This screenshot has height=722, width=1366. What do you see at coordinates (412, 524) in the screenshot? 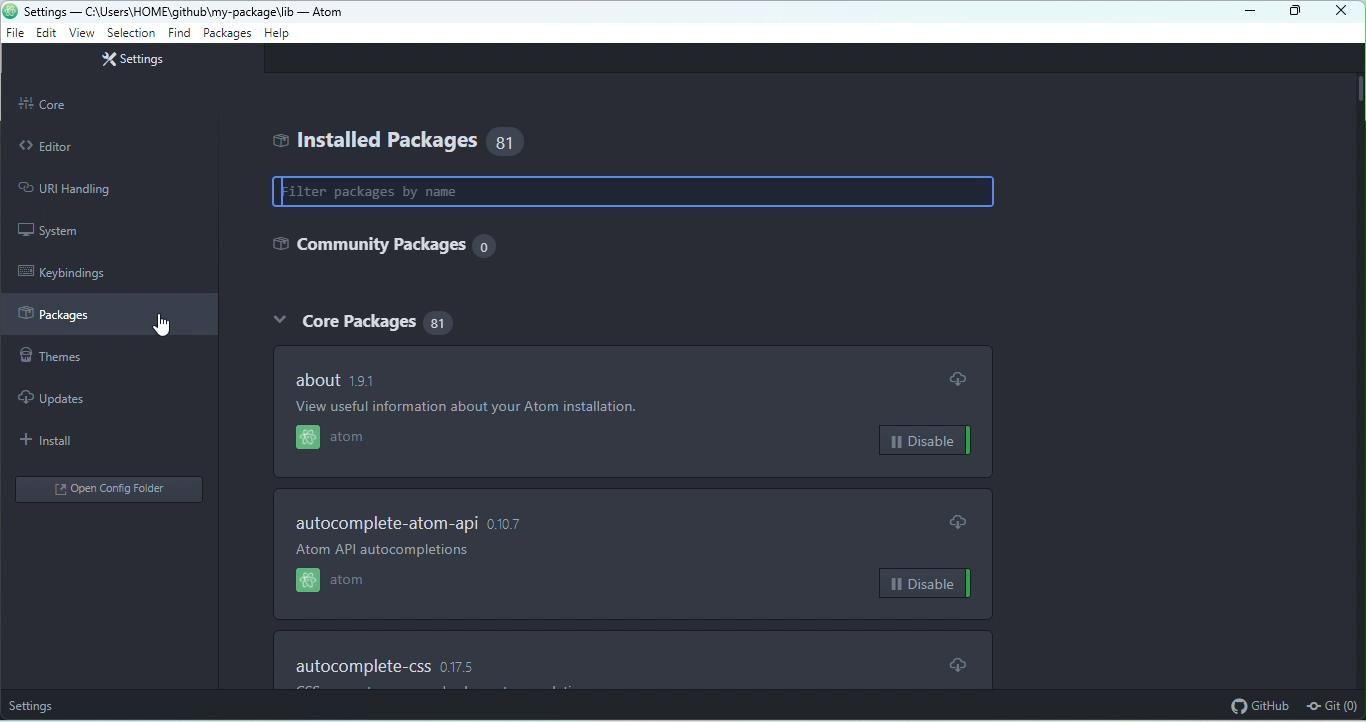
I see `autocomplele-atom-api 0.10.7` at bounding box center [412, 524].